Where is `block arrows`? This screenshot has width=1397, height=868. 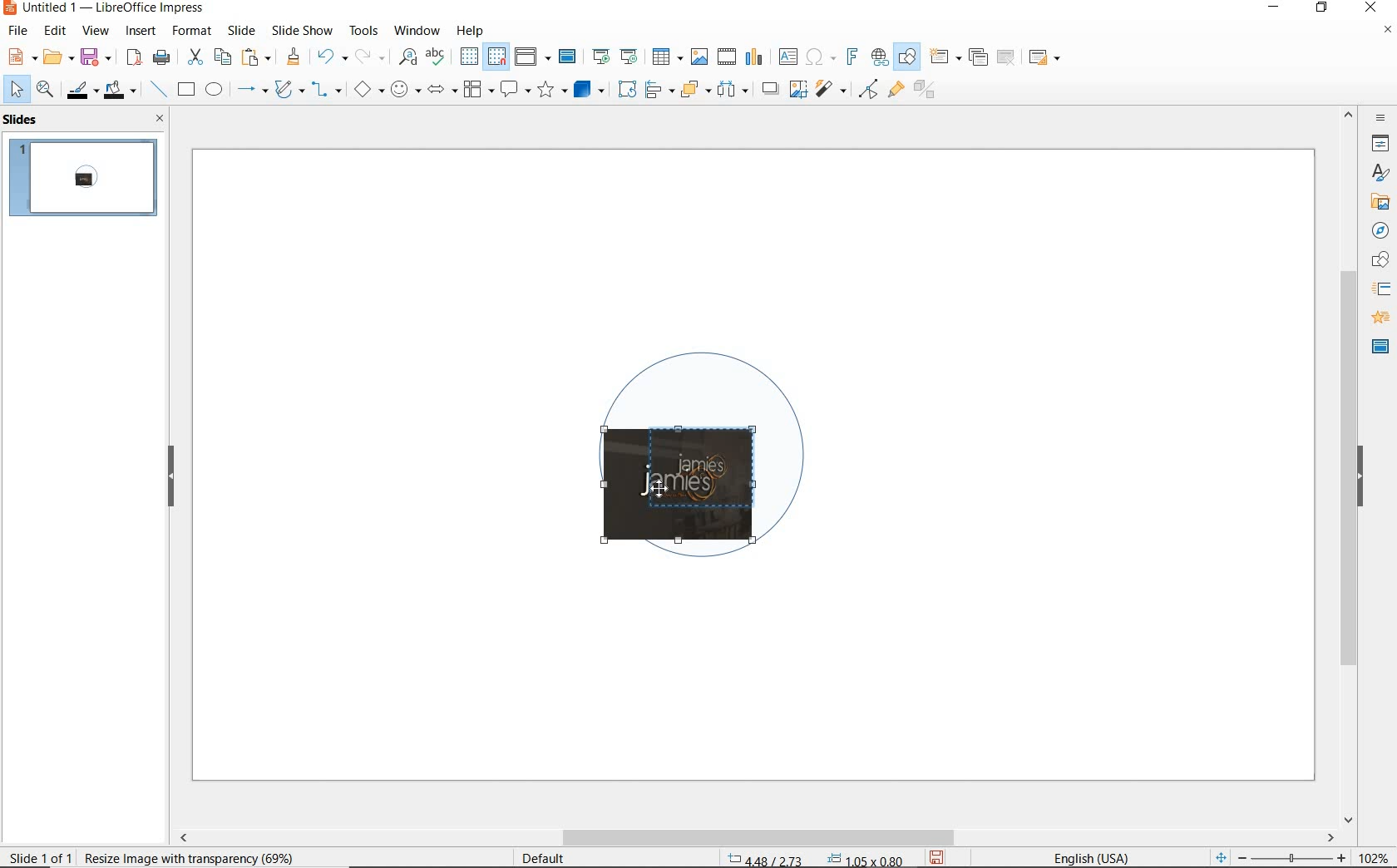
block arrows is located at coordinates (439, 91).